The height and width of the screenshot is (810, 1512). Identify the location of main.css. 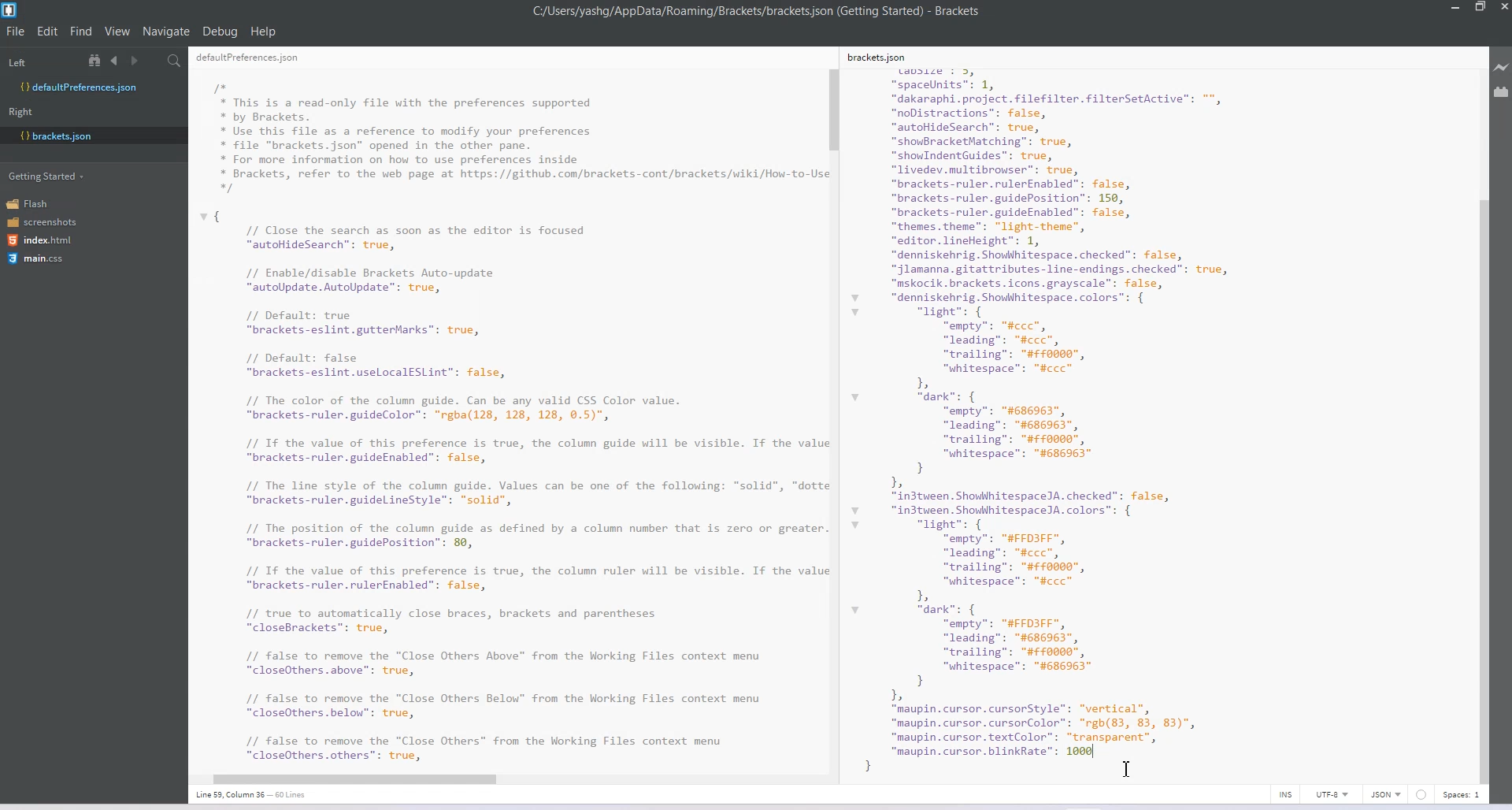
(35, 258).